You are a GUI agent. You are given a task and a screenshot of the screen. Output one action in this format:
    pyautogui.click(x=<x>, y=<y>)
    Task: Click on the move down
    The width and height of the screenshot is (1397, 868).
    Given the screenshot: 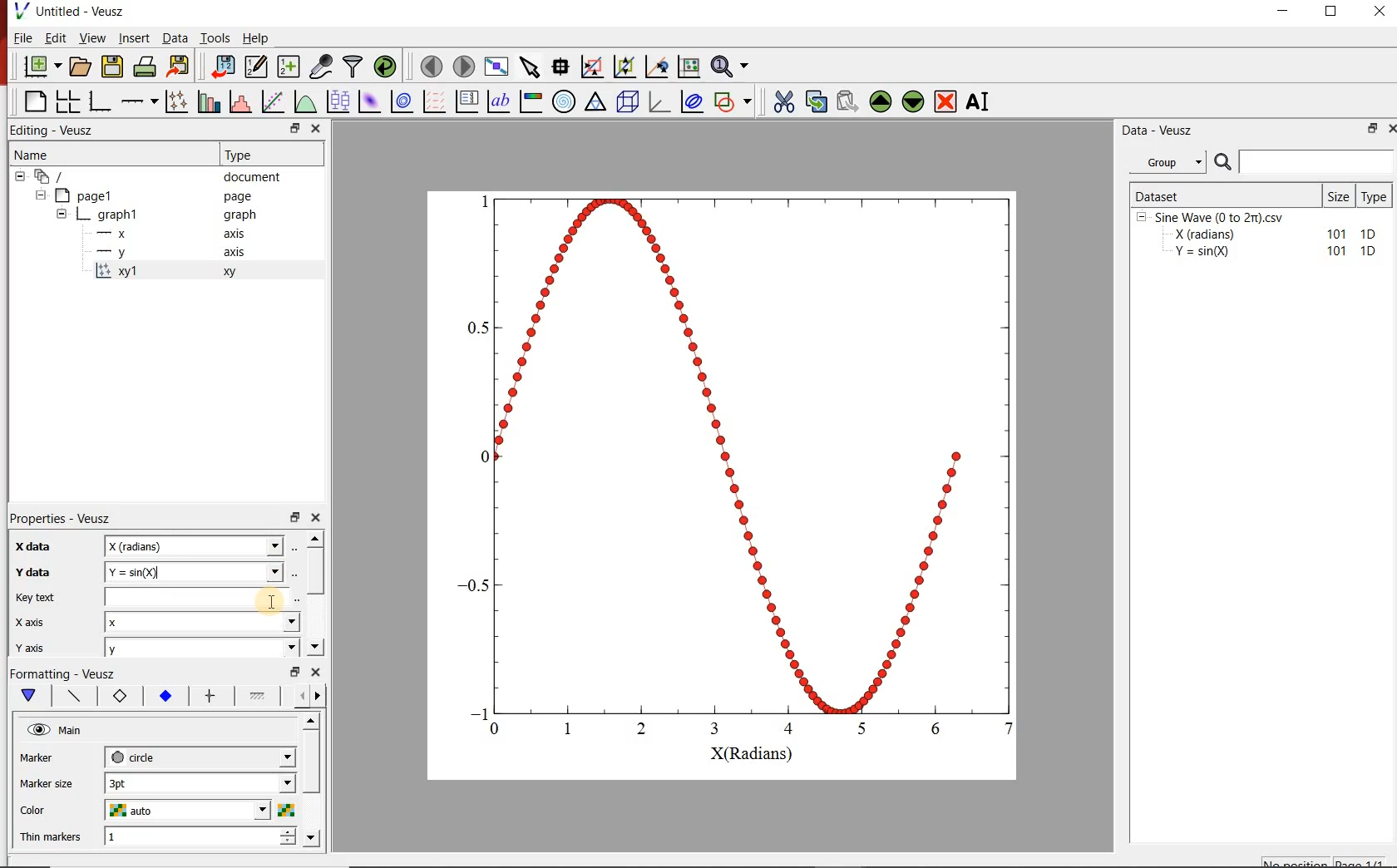 What is the action you would take?
    pyautogui.click(x=914, y=103)
    